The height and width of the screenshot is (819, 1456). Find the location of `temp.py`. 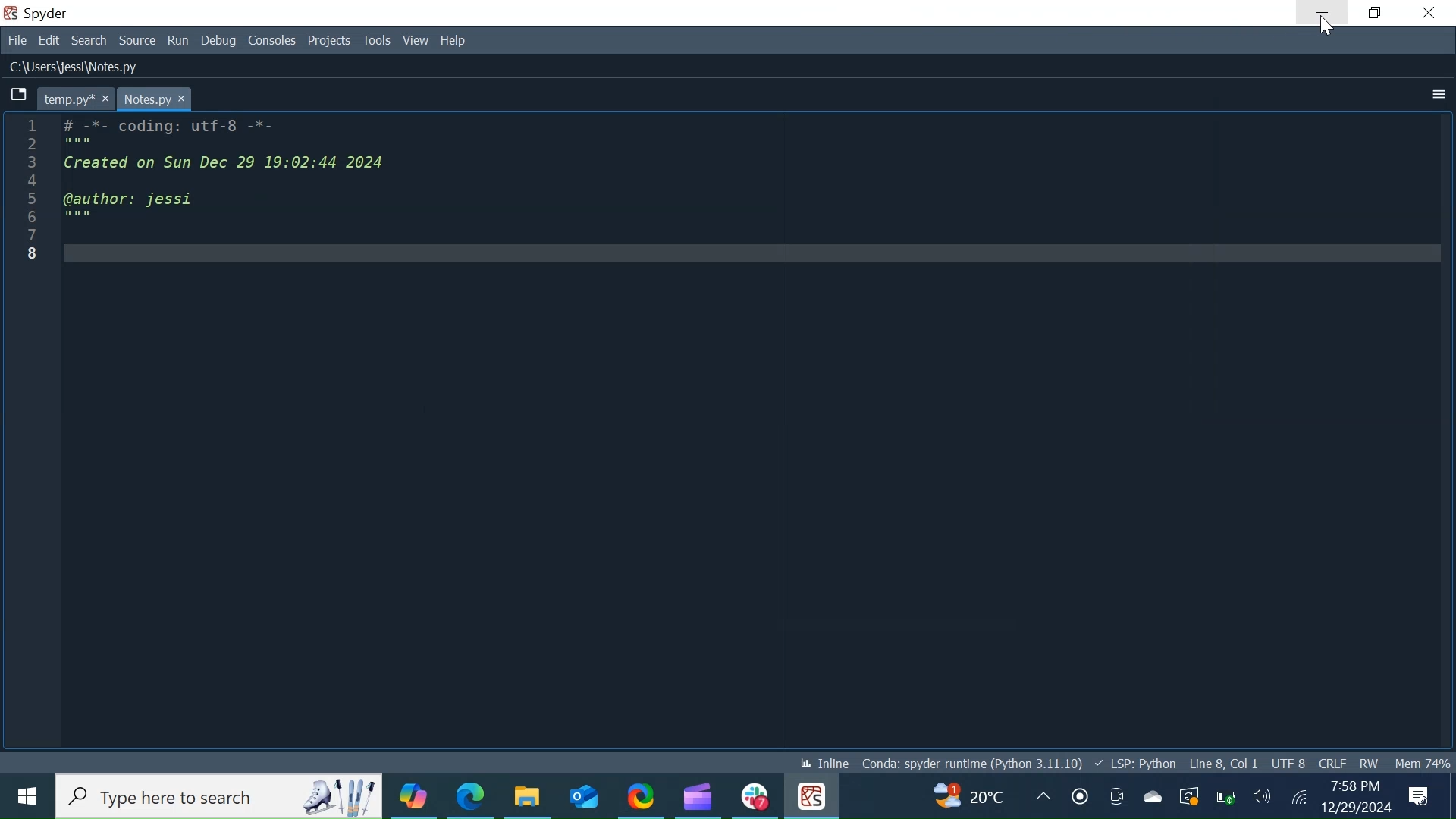

temp.py is located at coordinates (74, 99).